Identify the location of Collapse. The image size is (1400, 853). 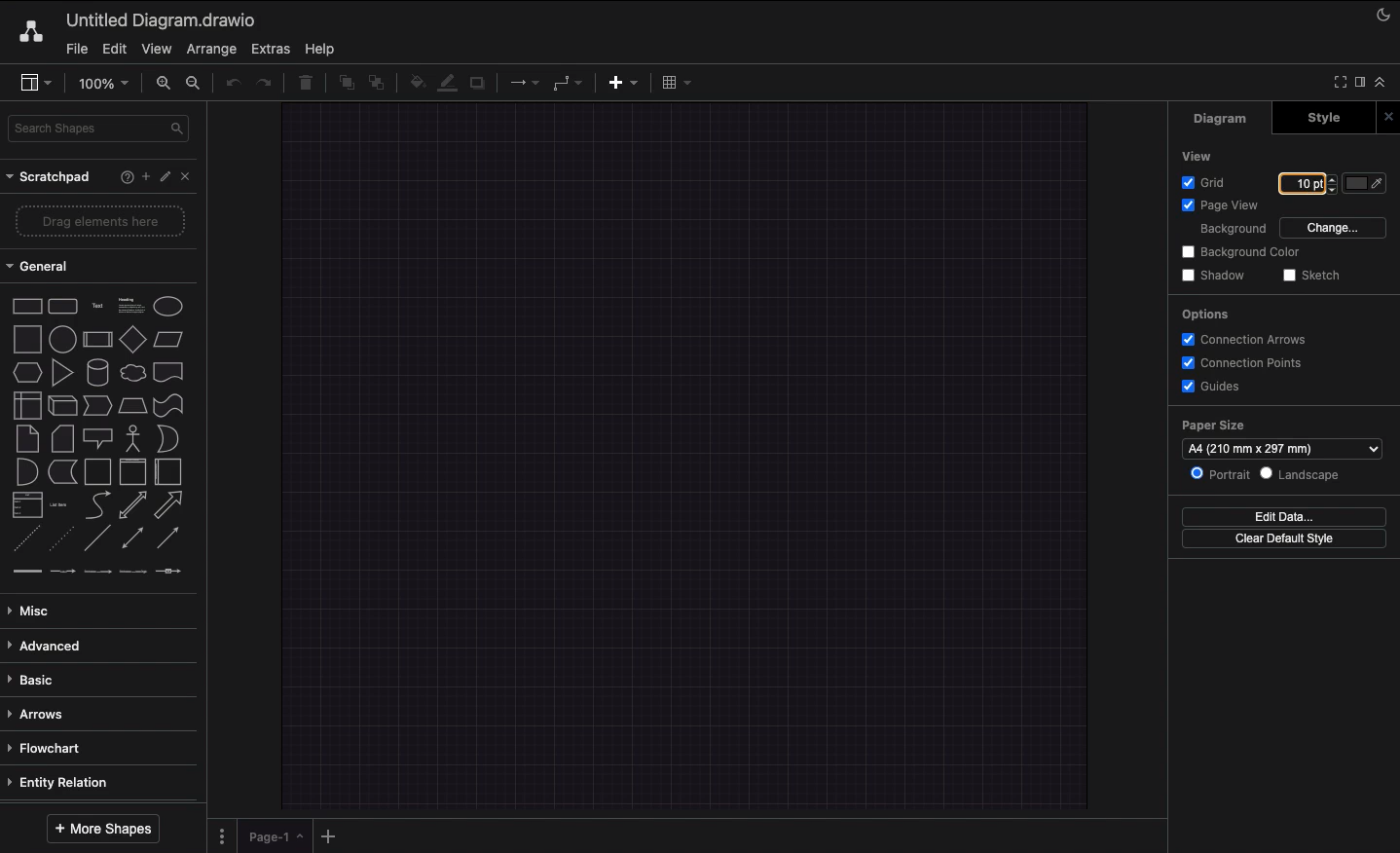
(1382, 83).